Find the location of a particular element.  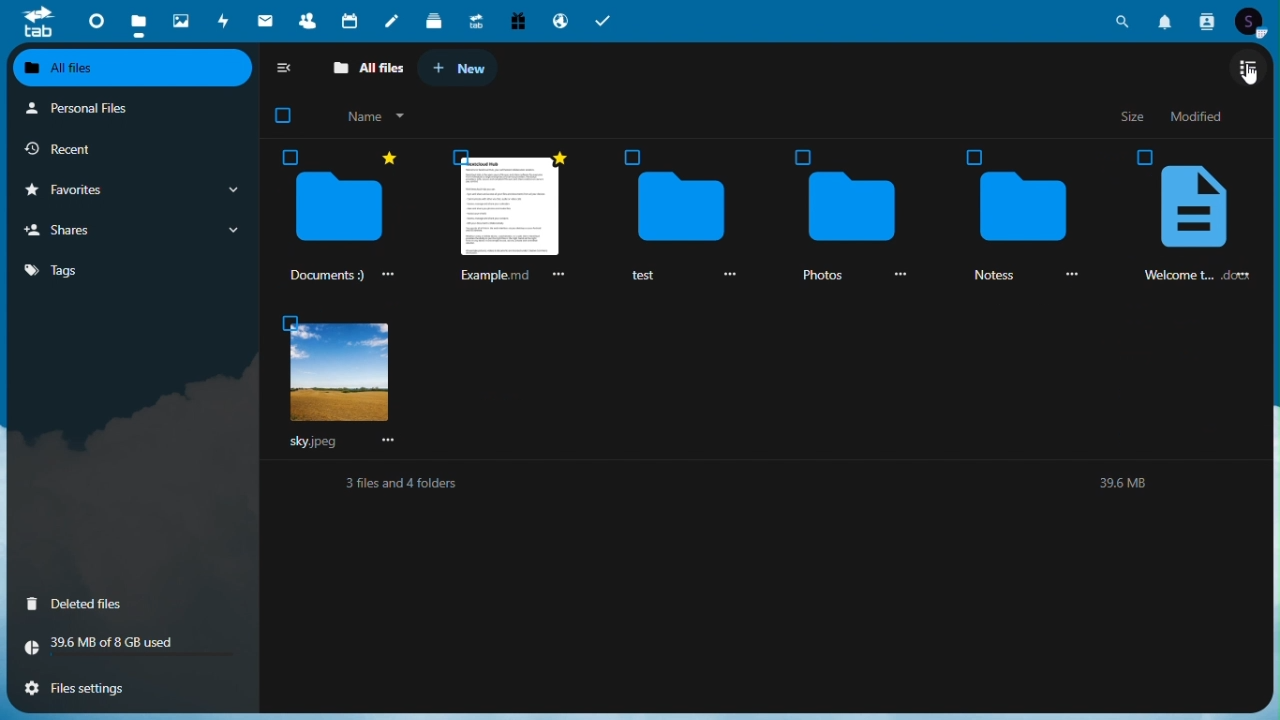

checkbox is located at coordinates (288, 323).